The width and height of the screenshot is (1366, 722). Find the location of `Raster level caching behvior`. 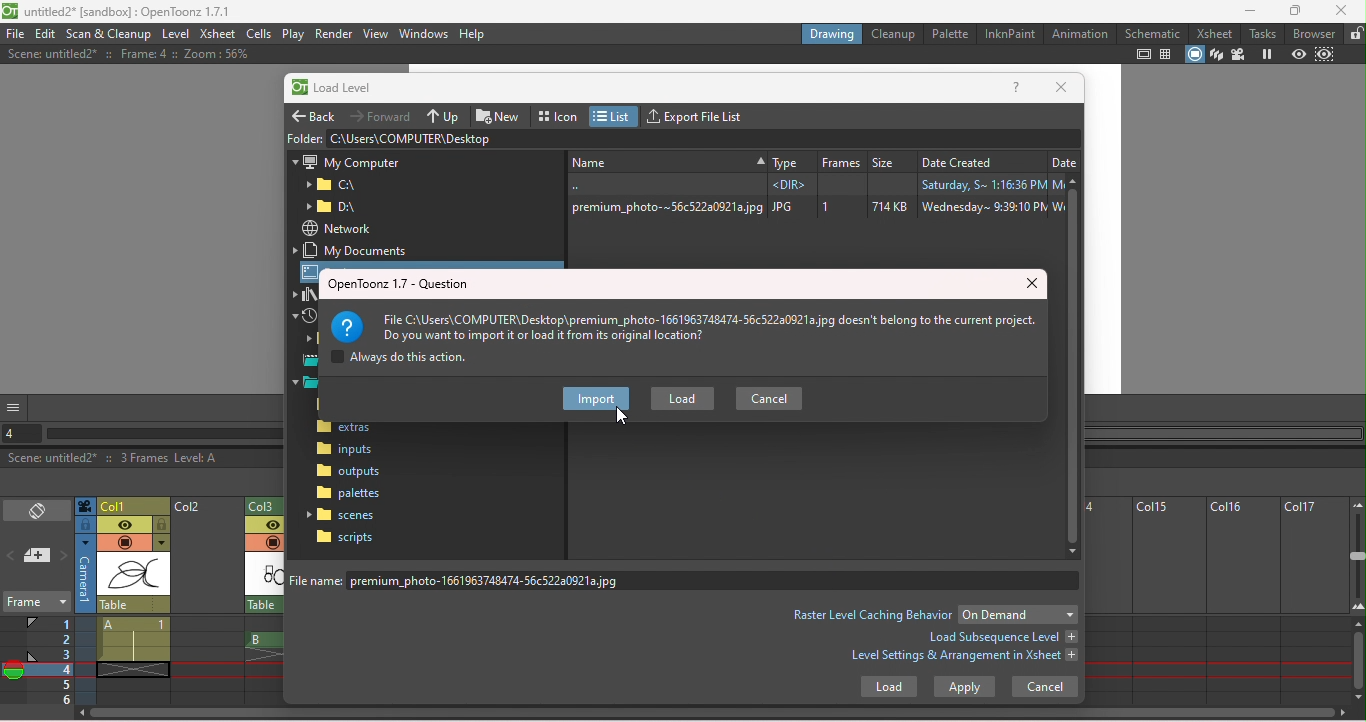

Raster level caching behvior is located at coordinates (872, 614).